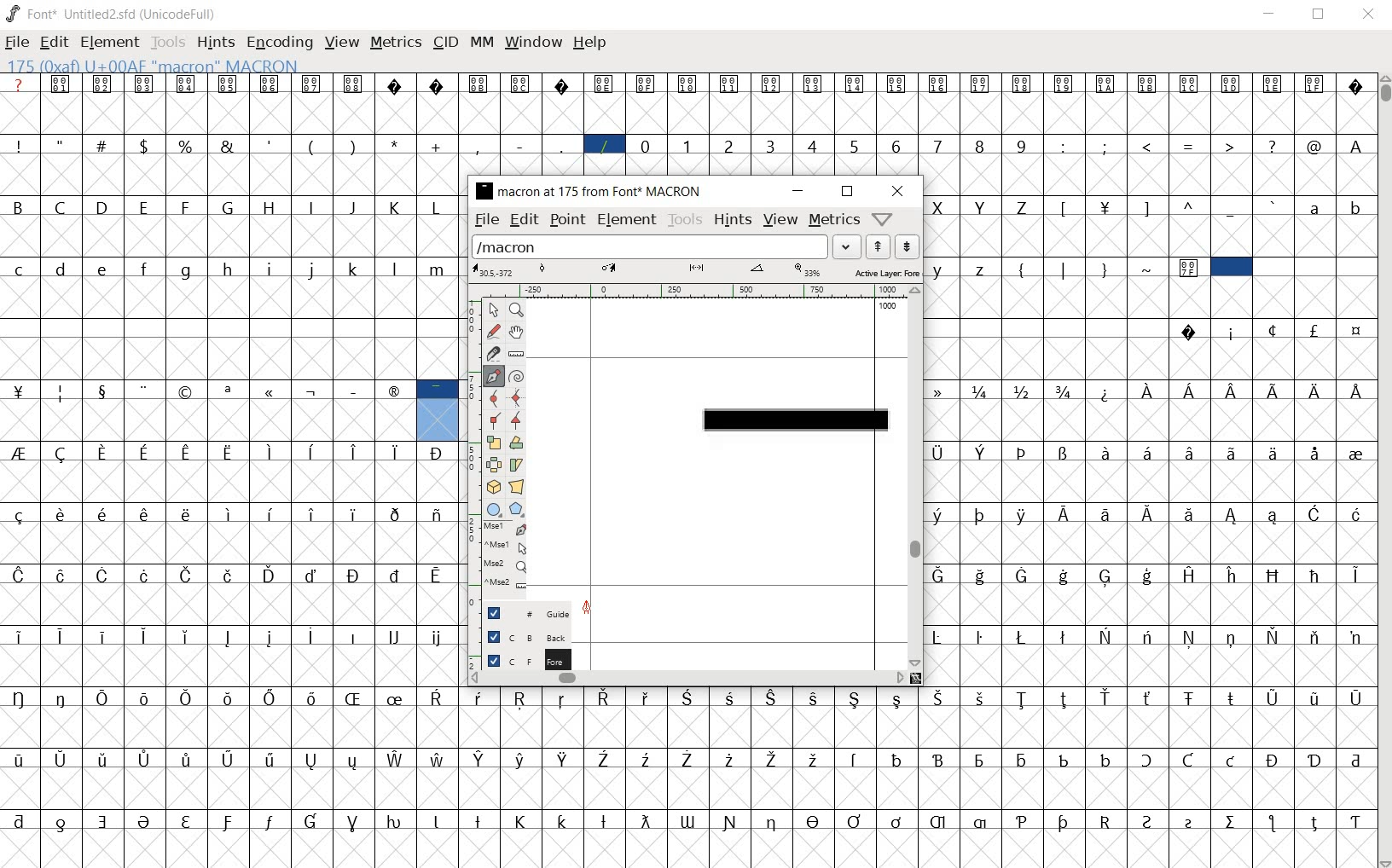  I want to click on Symbol, so click(1064, 512).